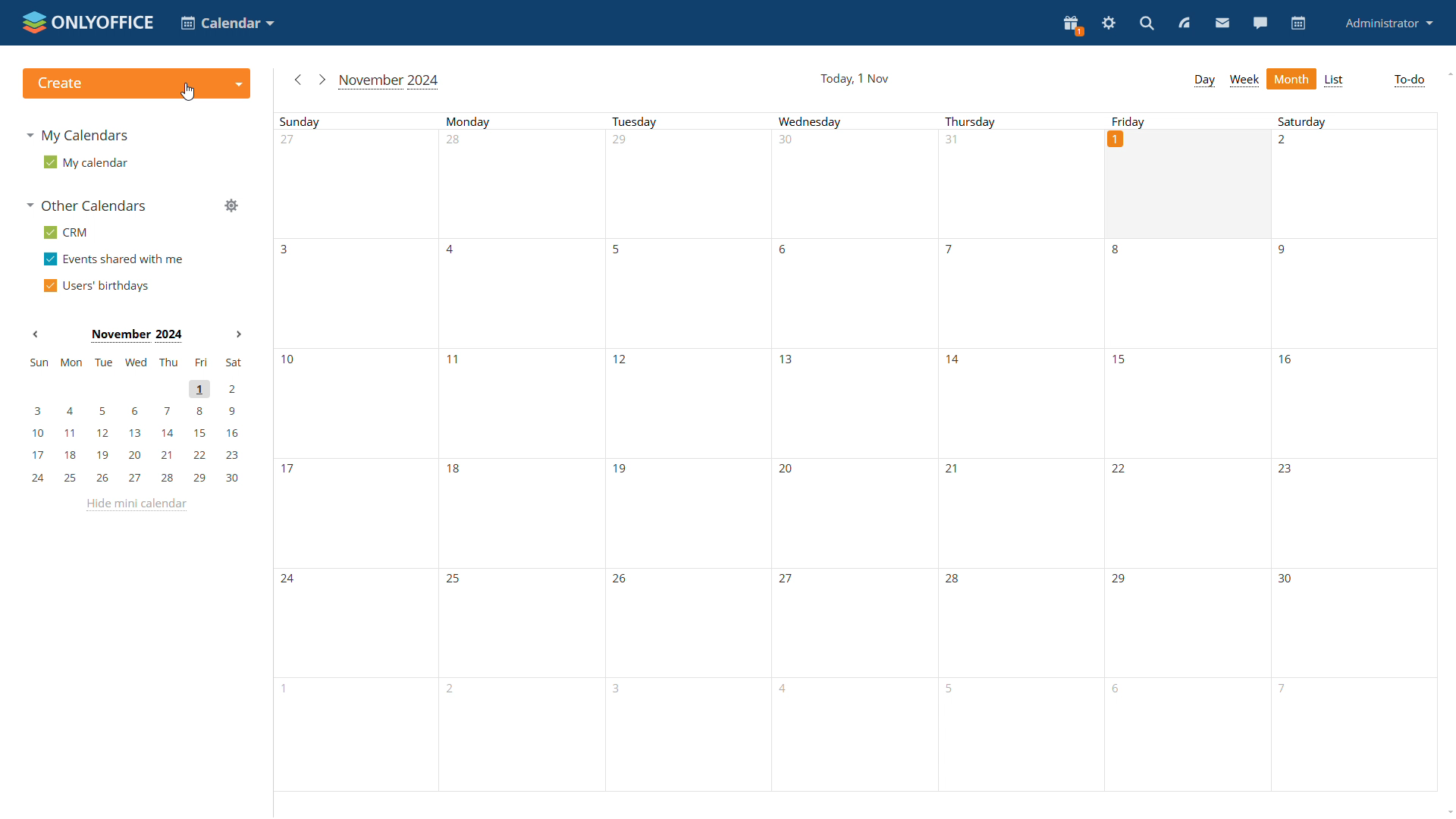 Image resolution: width=1456 pixels, height=819 pixels. Describe the element at coordinates (226, 22) in the screenshot. I see `select application` at that location.